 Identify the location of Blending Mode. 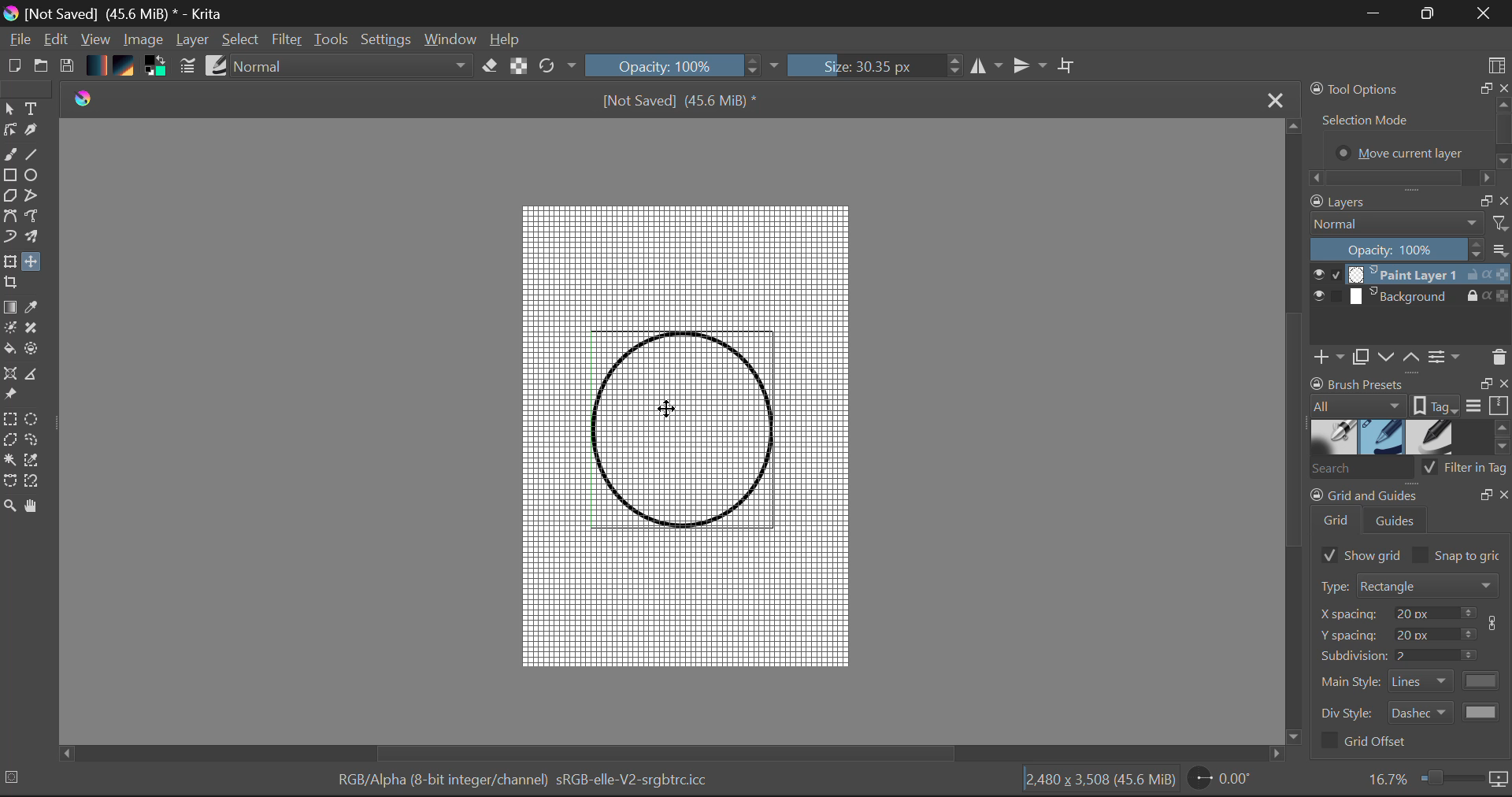
(1409, 224).